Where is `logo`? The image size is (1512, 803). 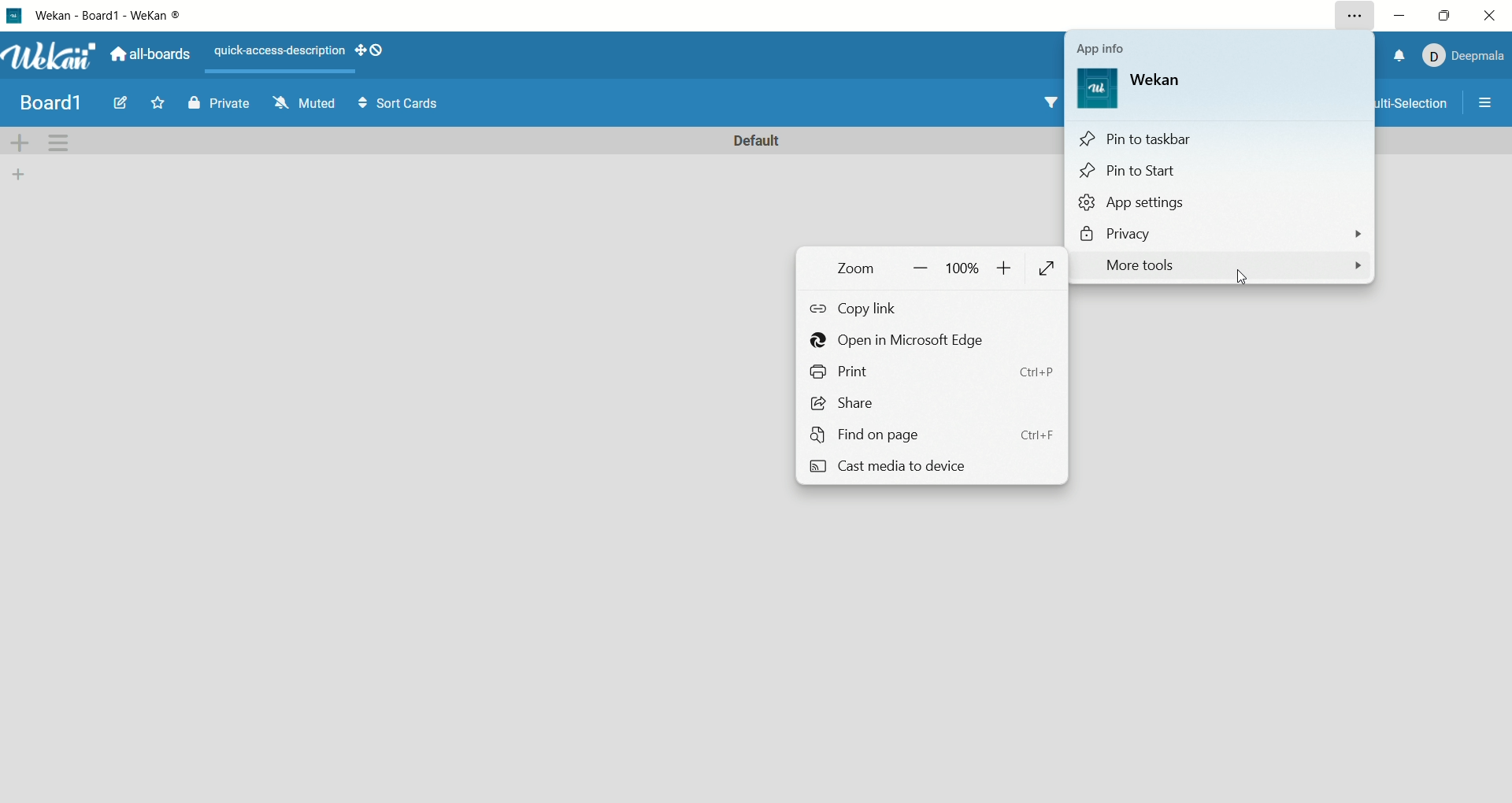
logo is located at coordinates (1099, 89).